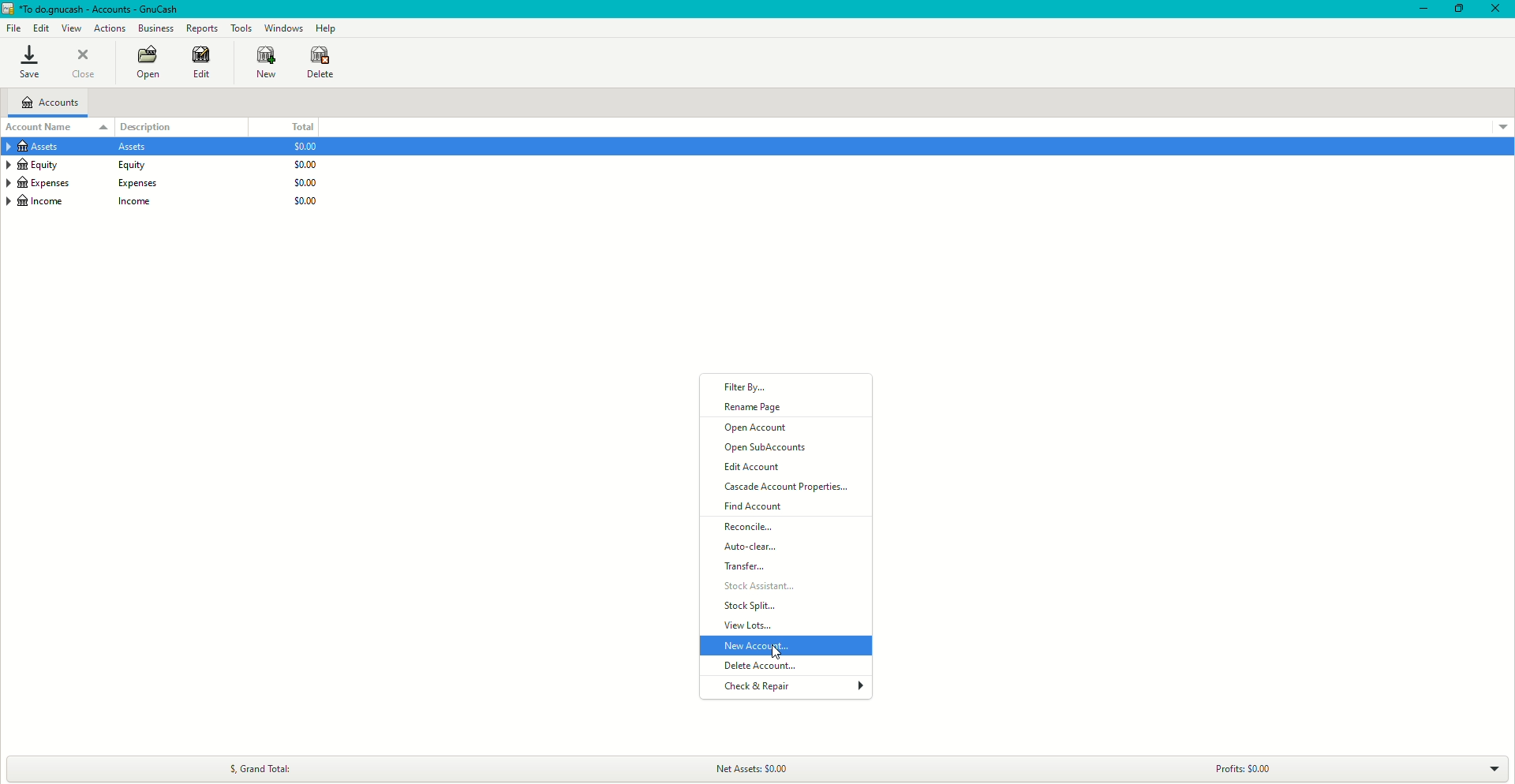 This screenshot has width=1515, height=784. What do you see at coordinates (775, 651) in the screenshot?
I see `mouse pointer` at bounding box center [775, 651].